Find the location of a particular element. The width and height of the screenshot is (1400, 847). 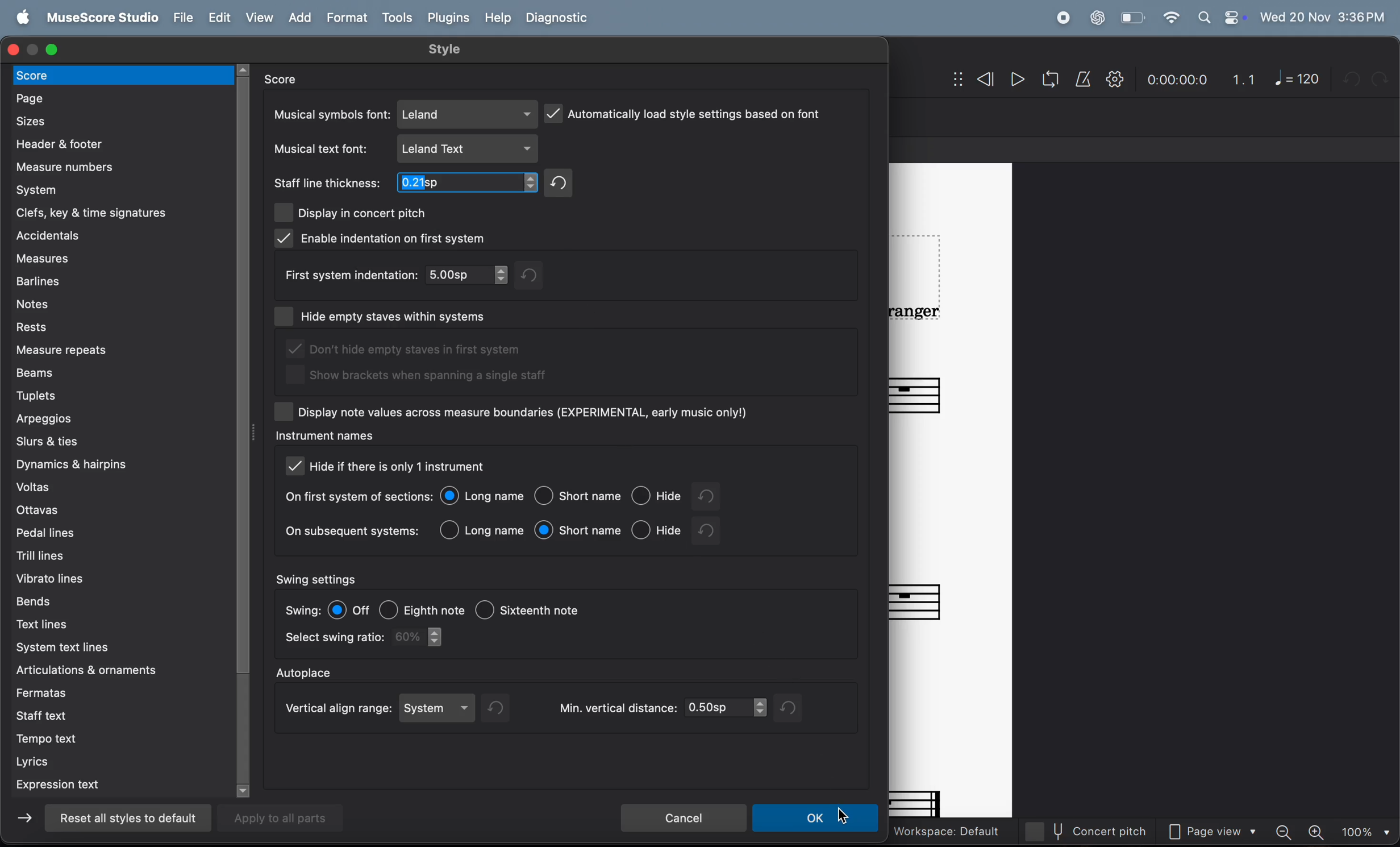

cancel is located at coordinates (683, 816).